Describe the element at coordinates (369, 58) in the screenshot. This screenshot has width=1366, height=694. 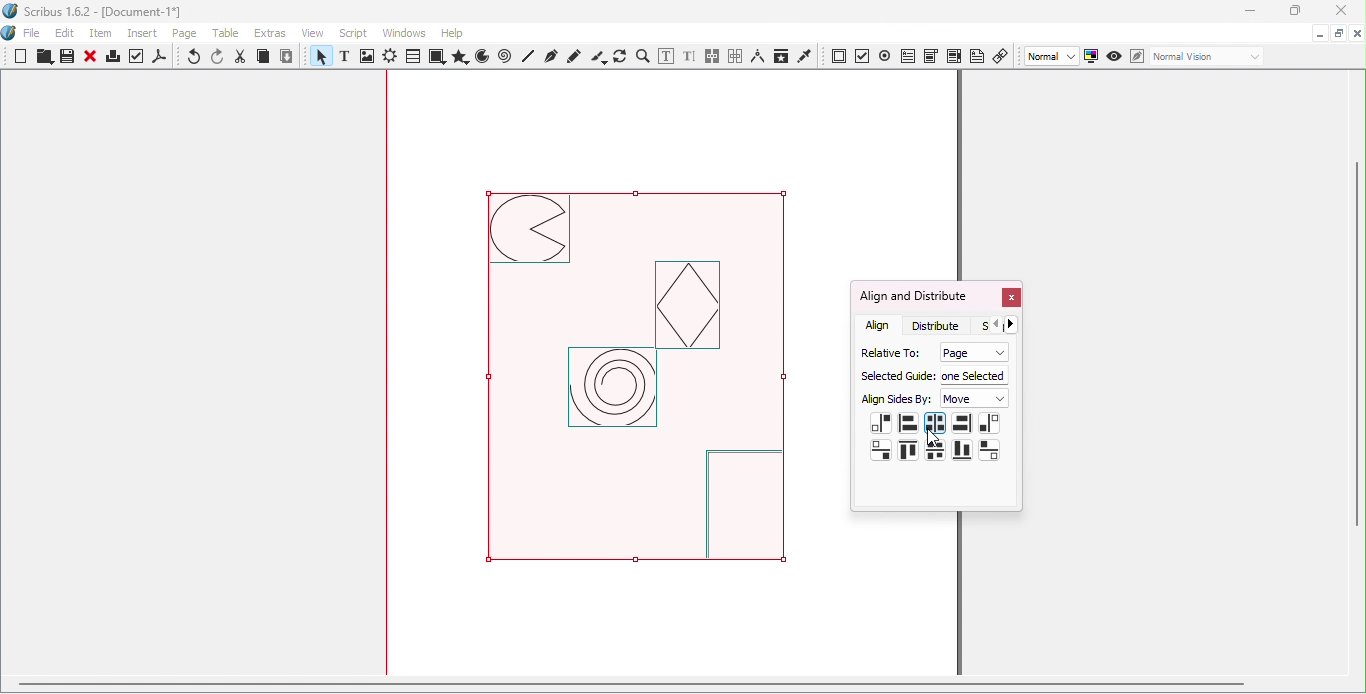
I see `Image frame` at that location.